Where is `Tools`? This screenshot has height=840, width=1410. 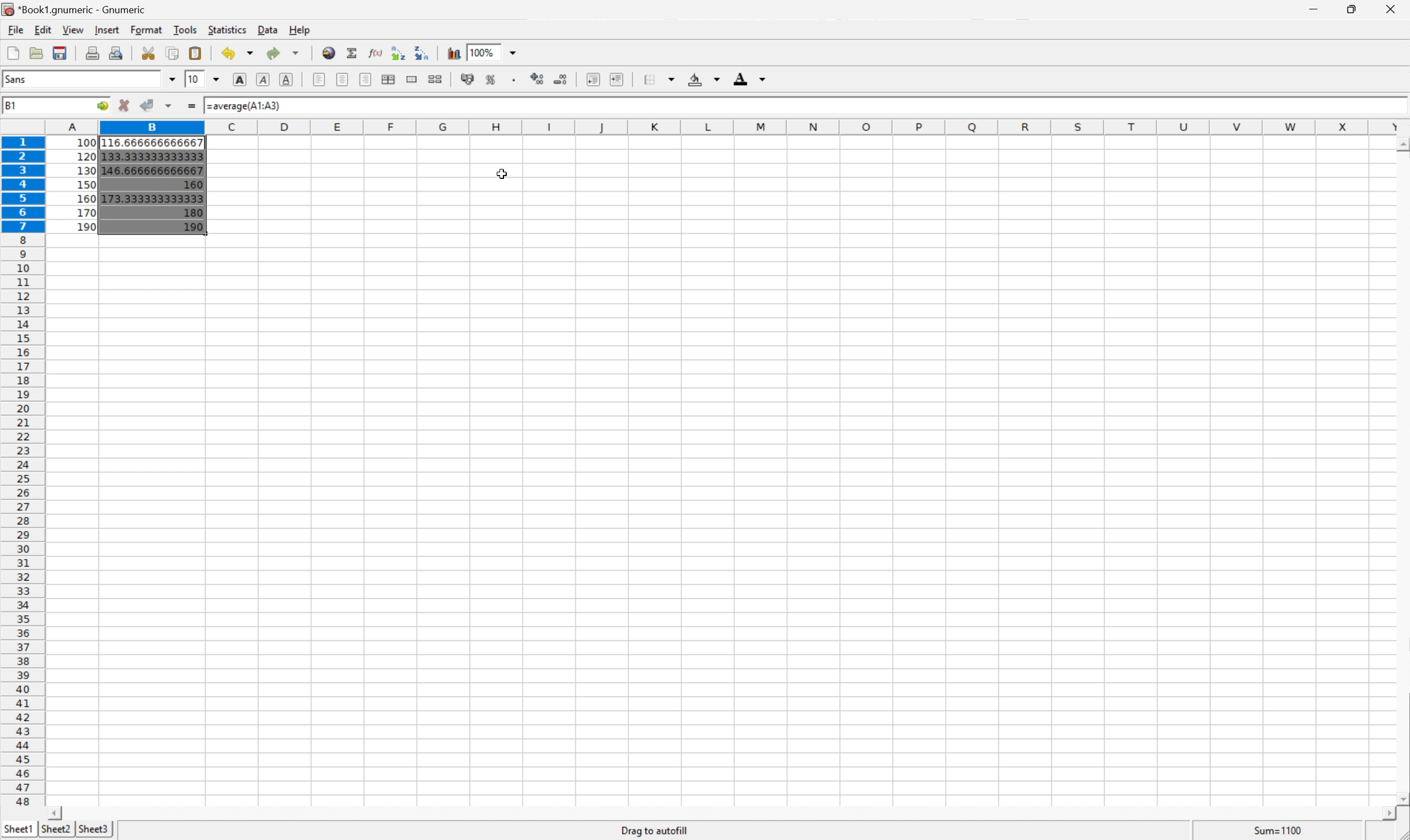 Tools is located at coordinates (188, 30).